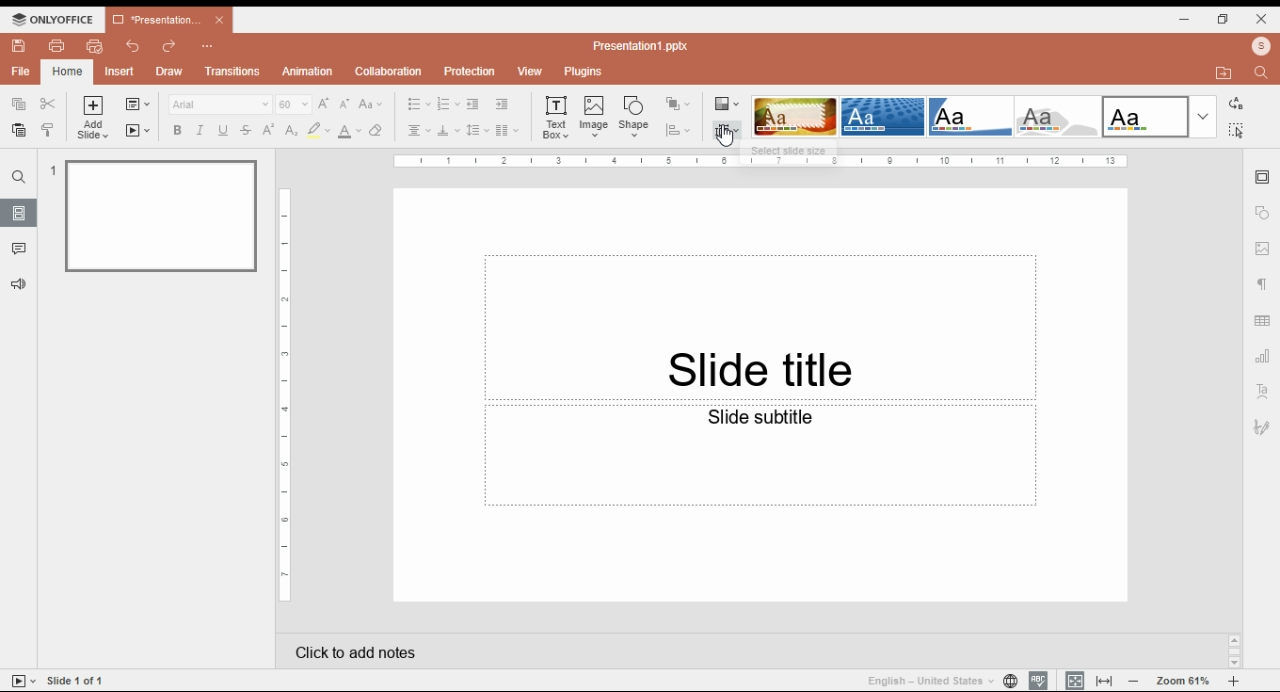  I want to click on change slide layout, so click(137, 104).